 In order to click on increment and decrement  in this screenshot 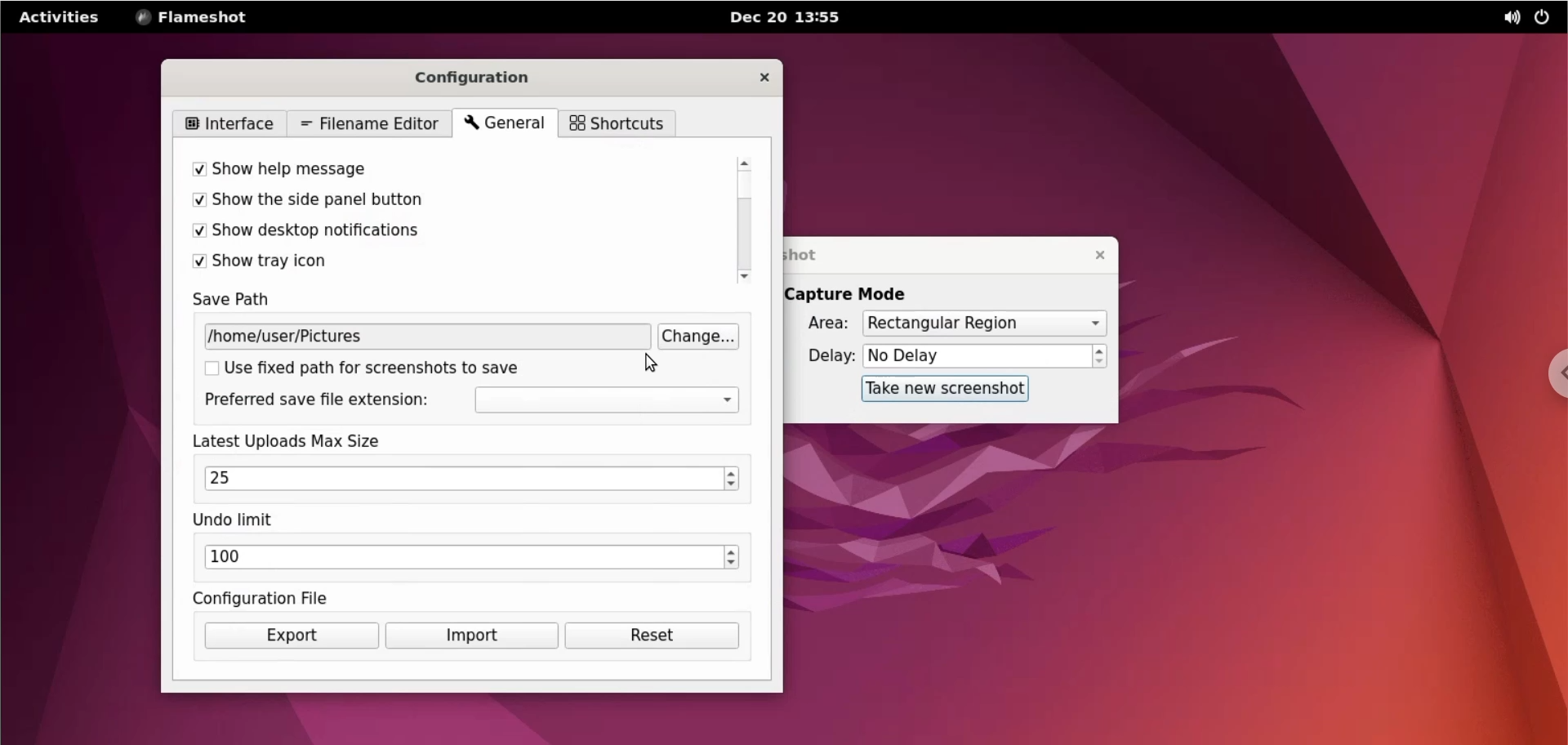, I will do `click(733, 560)`.